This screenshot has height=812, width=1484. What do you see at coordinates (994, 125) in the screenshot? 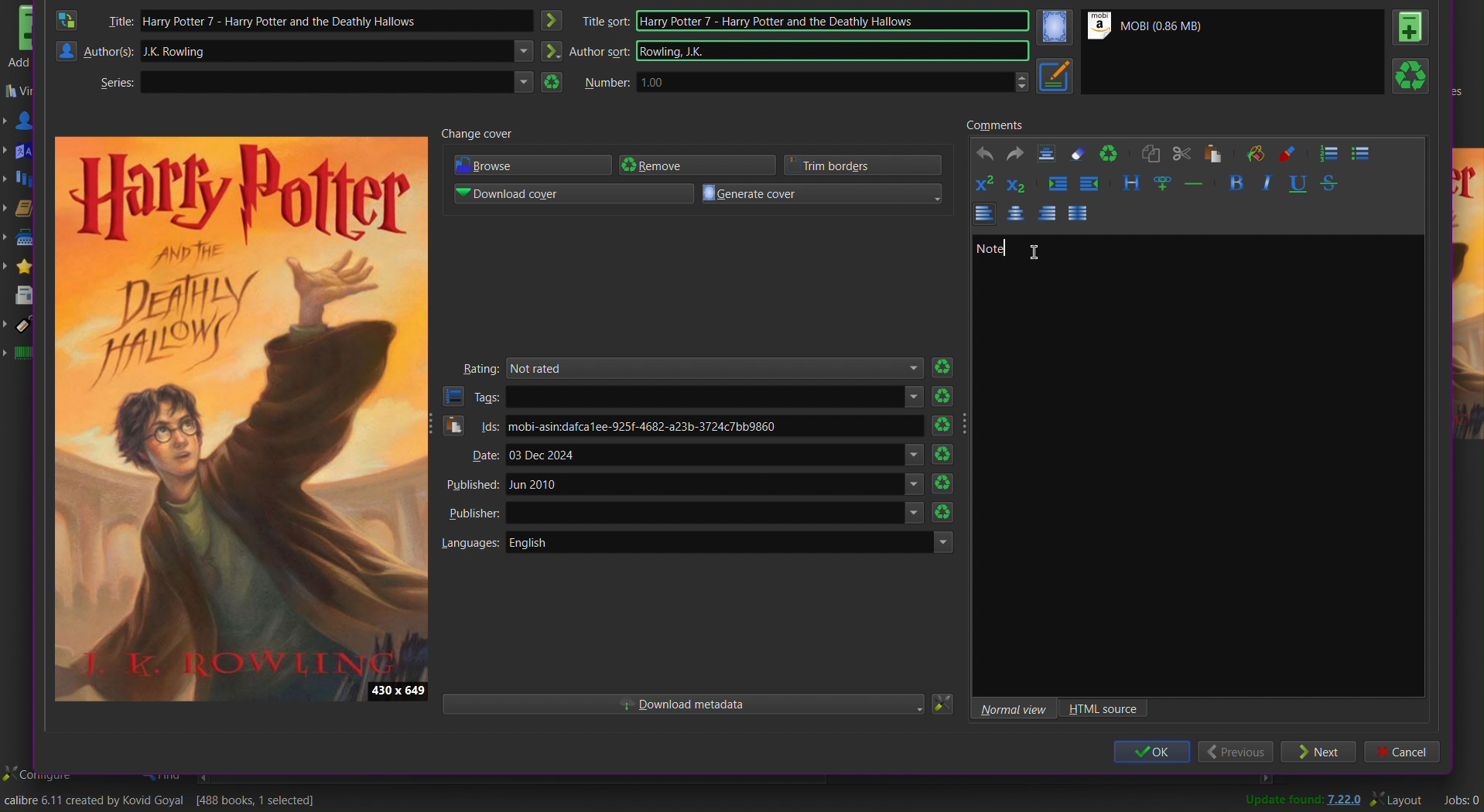
I see `Comments` at bounding box center [994, 125].